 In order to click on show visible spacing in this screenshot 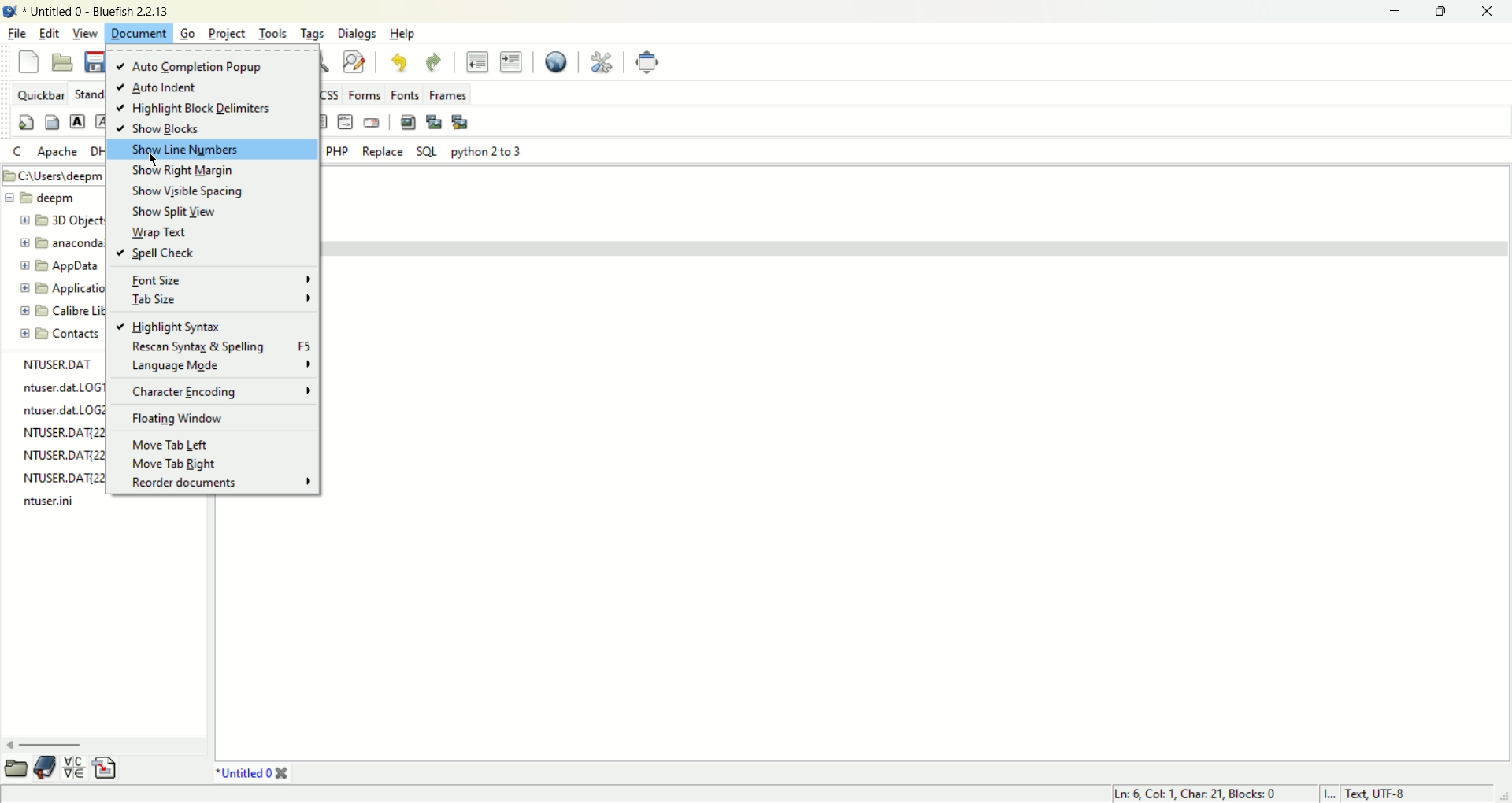, I will do `click(199, 191)`.